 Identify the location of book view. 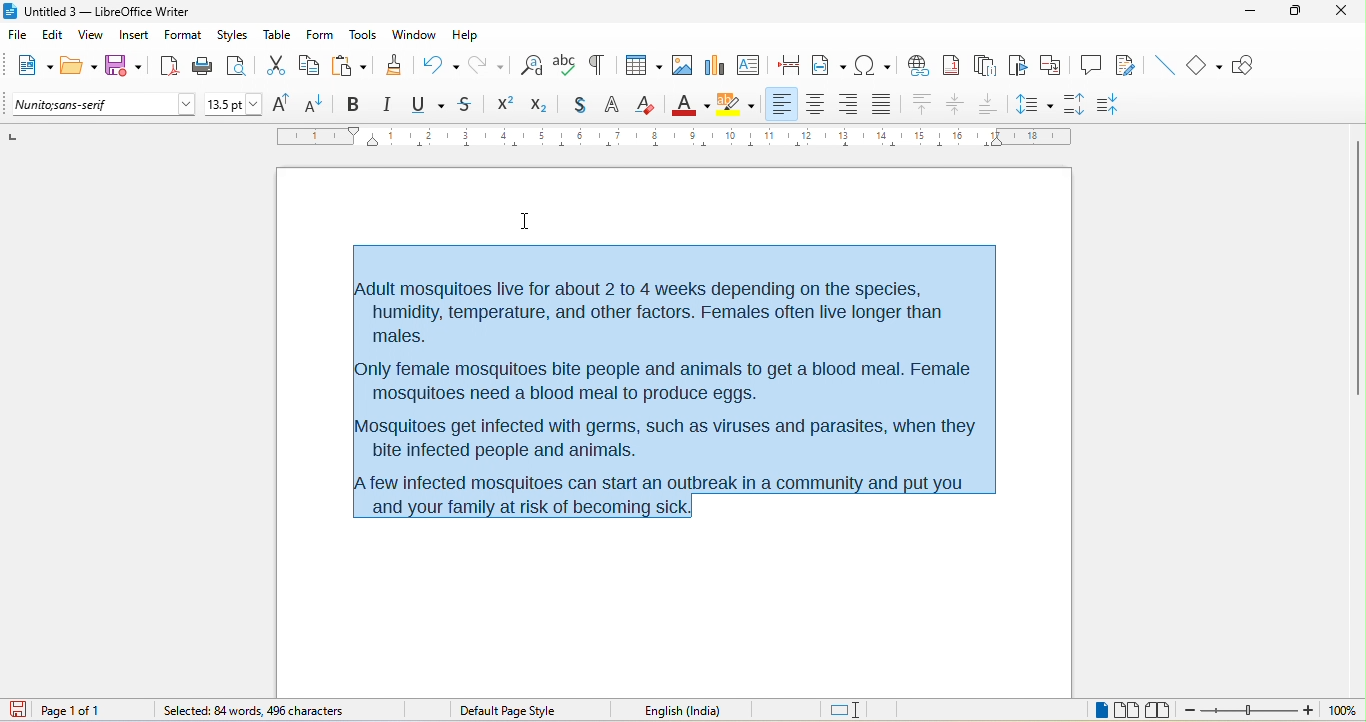
(1162, 710).